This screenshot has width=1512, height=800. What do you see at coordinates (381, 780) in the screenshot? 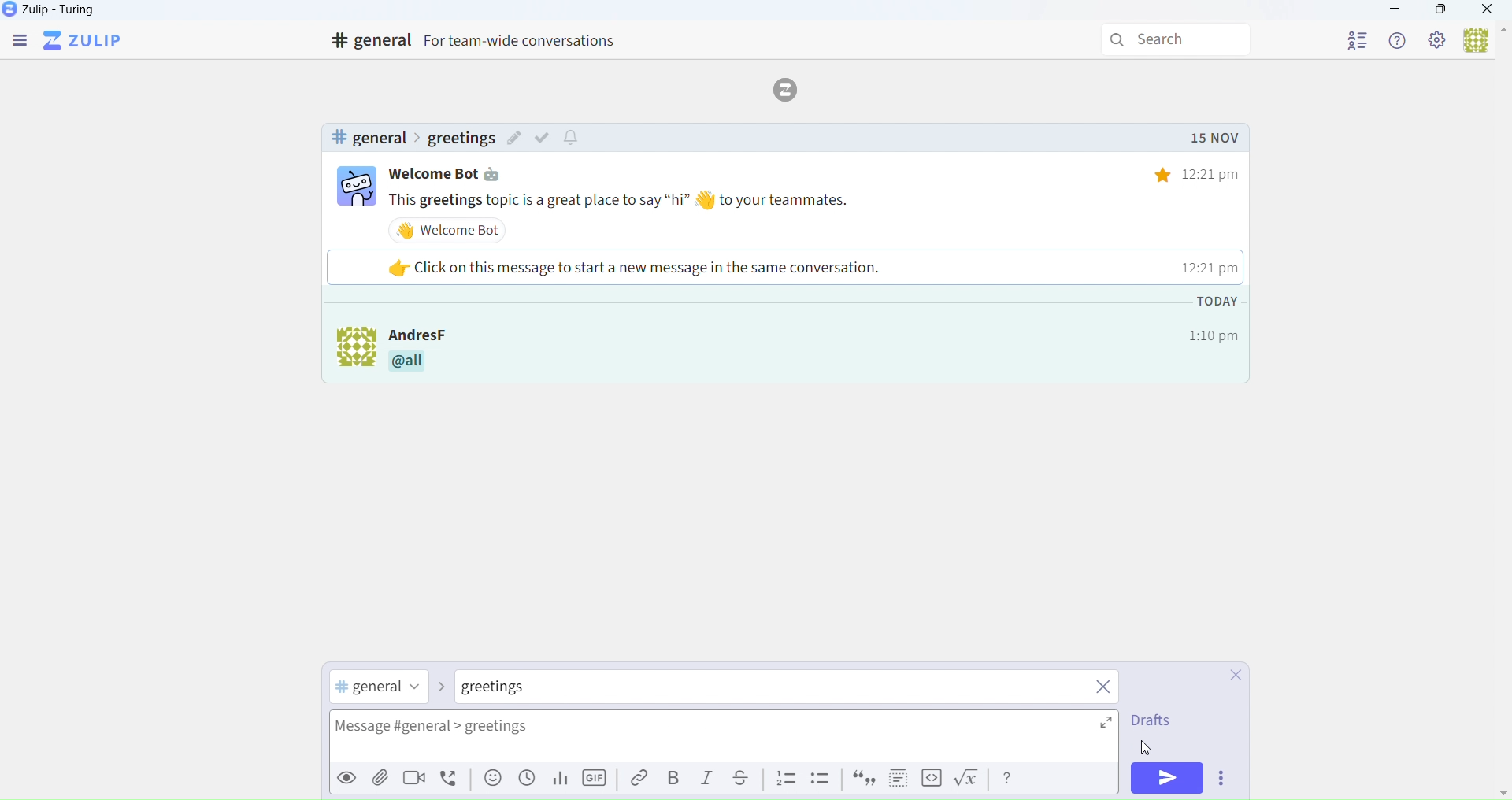
I see `Attachment` at bounding box center [381, 780].